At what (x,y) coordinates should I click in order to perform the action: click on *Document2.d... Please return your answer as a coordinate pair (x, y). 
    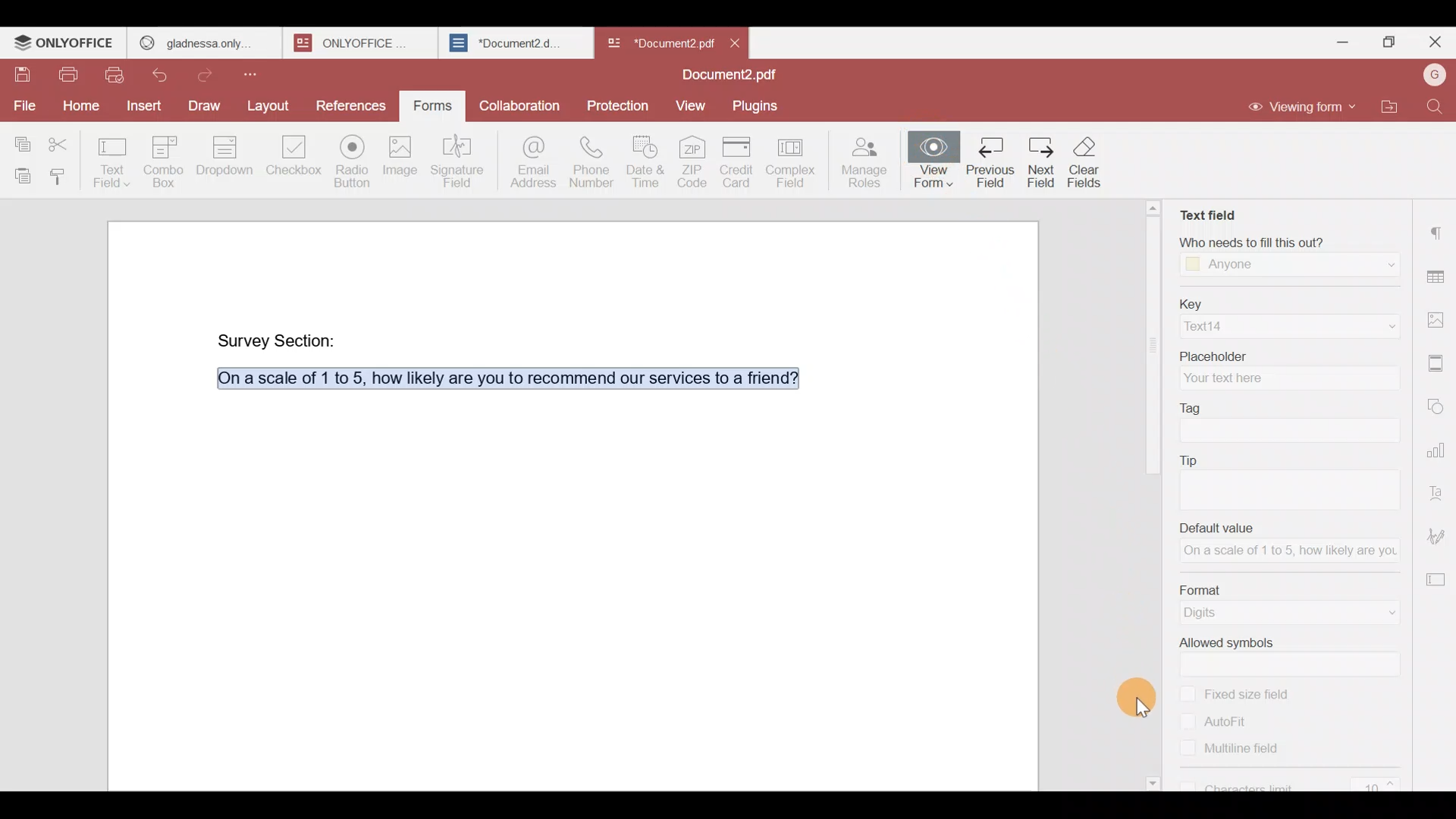
    Looking at the image, I should click on (507, 41).